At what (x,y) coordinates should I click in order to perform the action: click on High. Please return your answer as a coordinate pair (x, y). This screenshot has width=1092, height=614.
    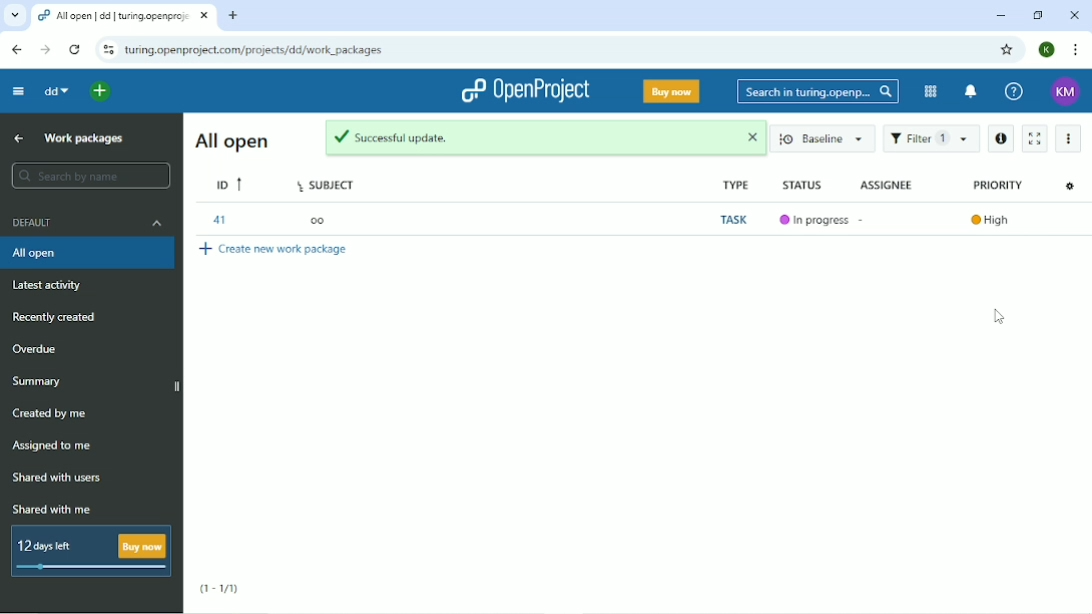
    Looking at the image, I should click on (992, 221).